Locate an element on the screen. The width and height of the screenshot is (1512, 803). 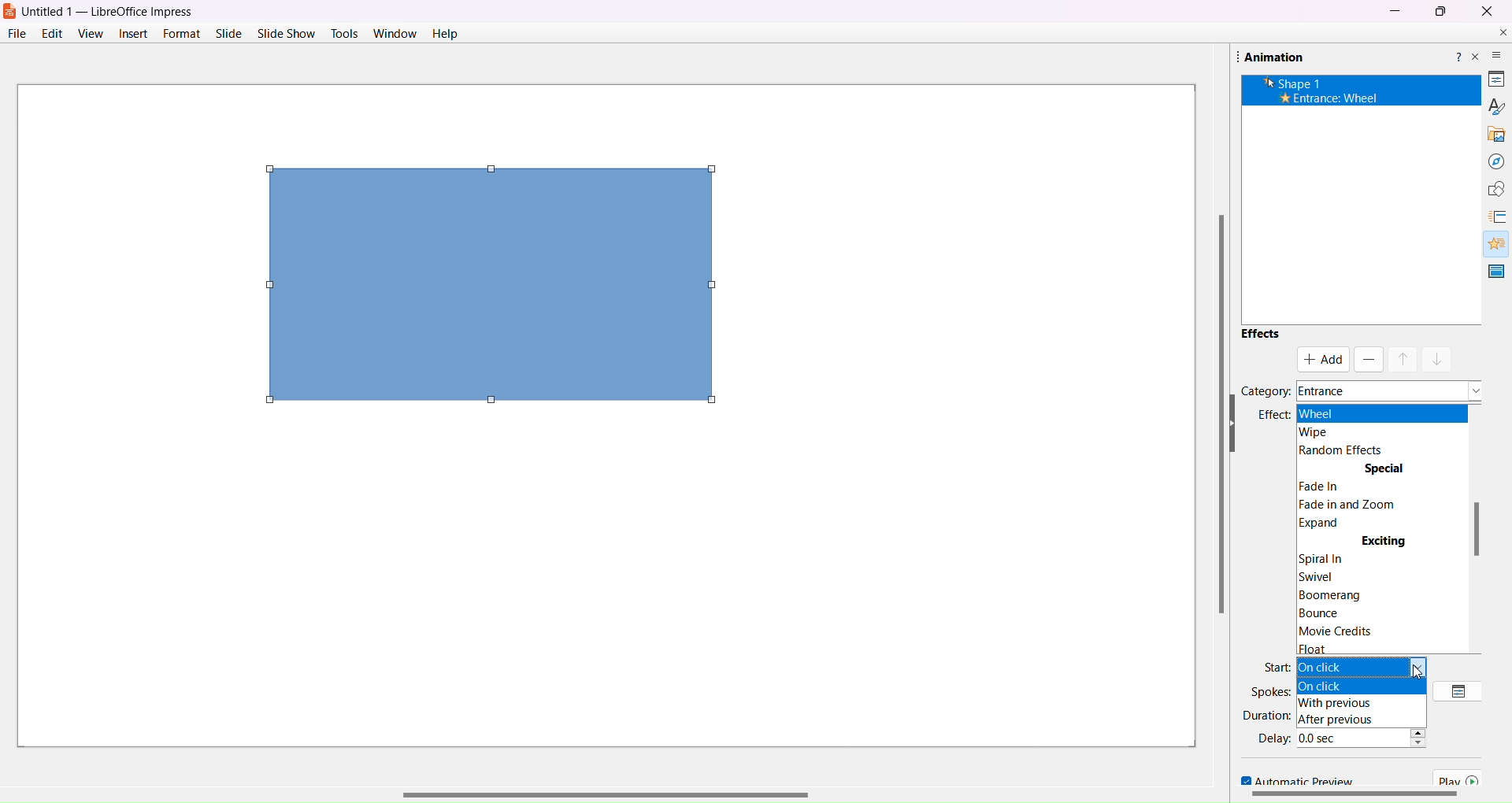
Properties is located at coordinates (1489, 76).